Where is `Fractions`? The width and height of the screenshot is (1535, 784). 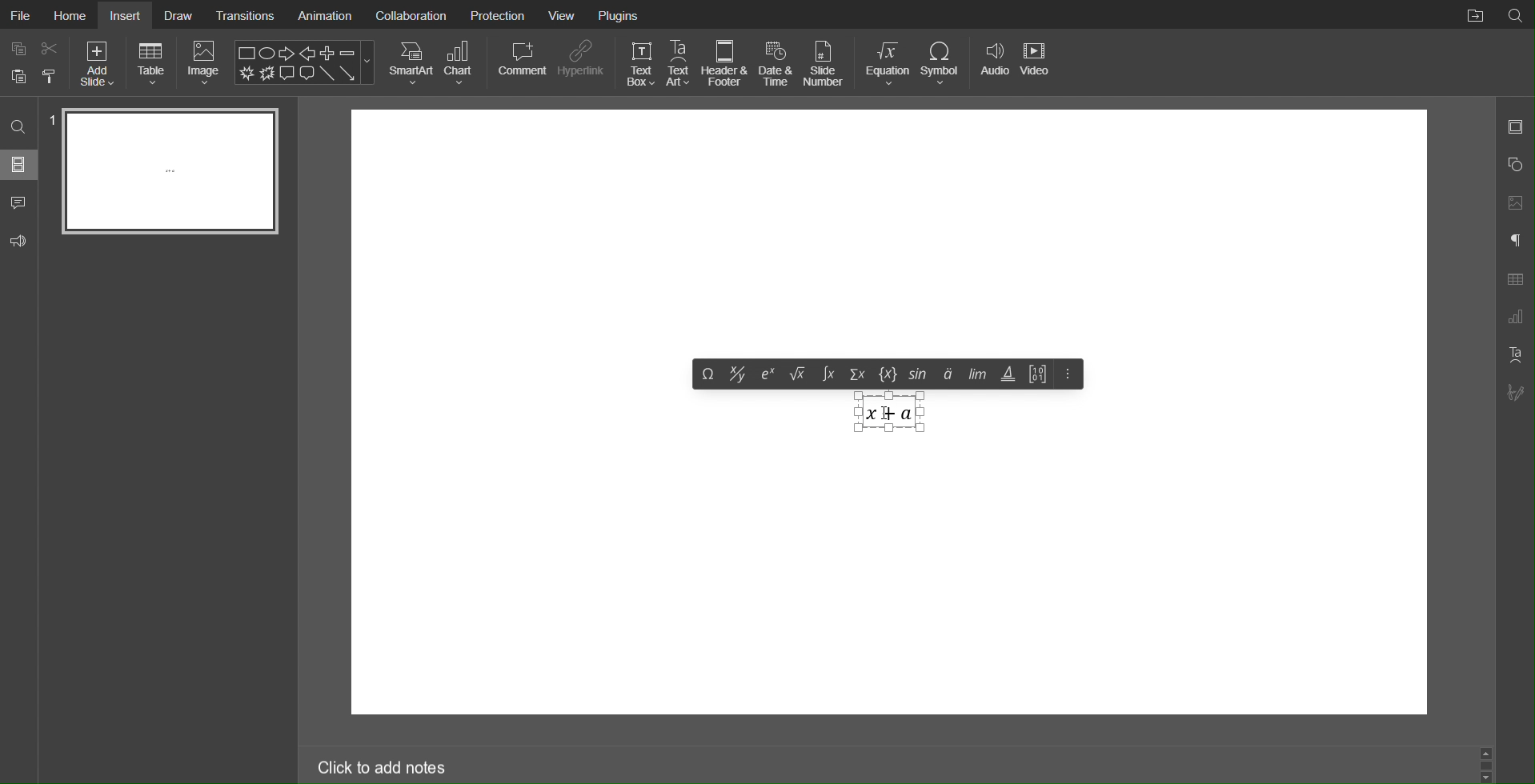 Fractions is located at coordinates (737, 374).